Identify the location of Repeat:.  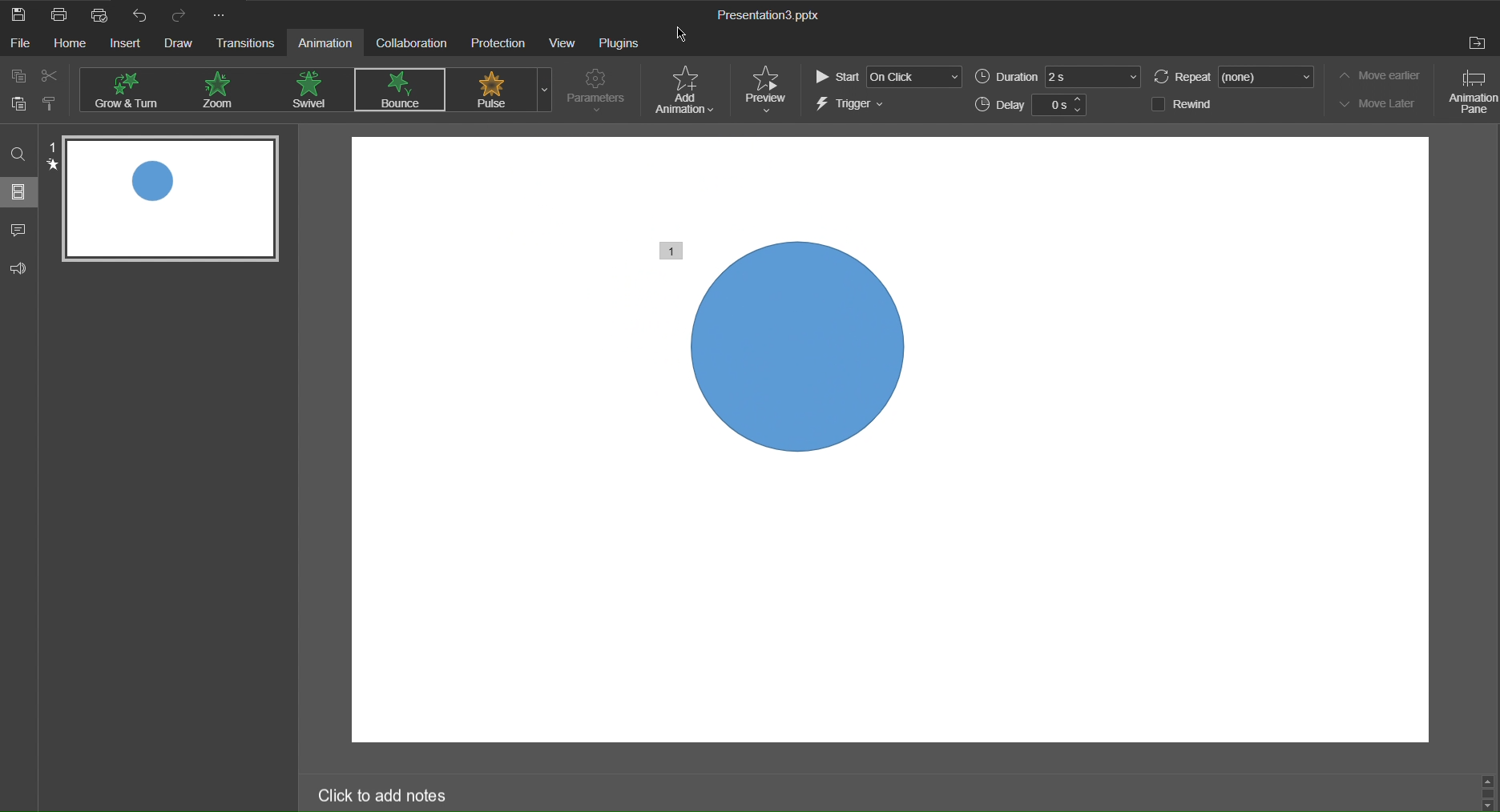
(1183, 78).